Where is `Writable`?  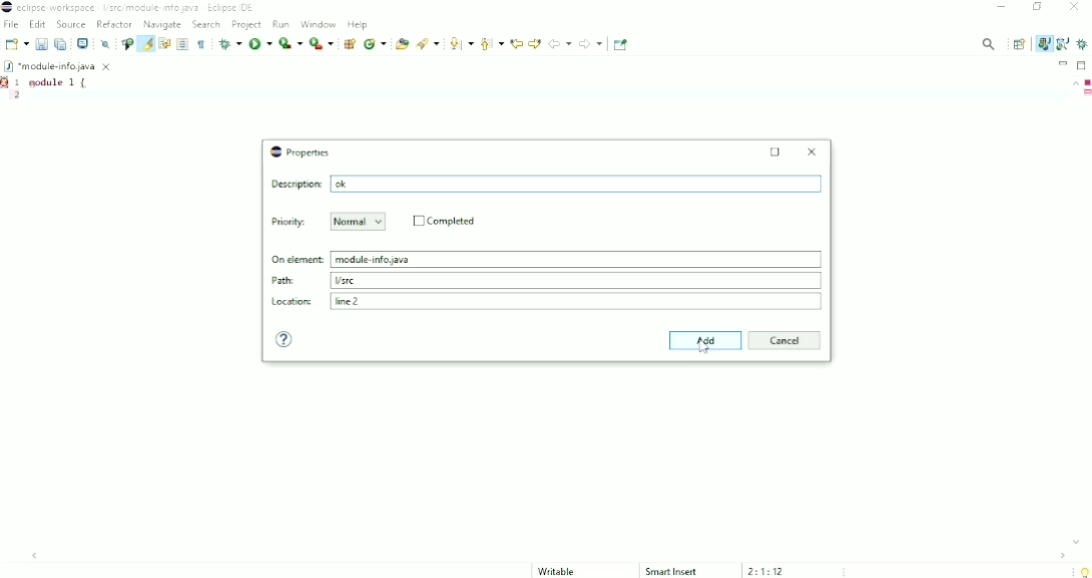
Writable is located at coordinates (565, 571).